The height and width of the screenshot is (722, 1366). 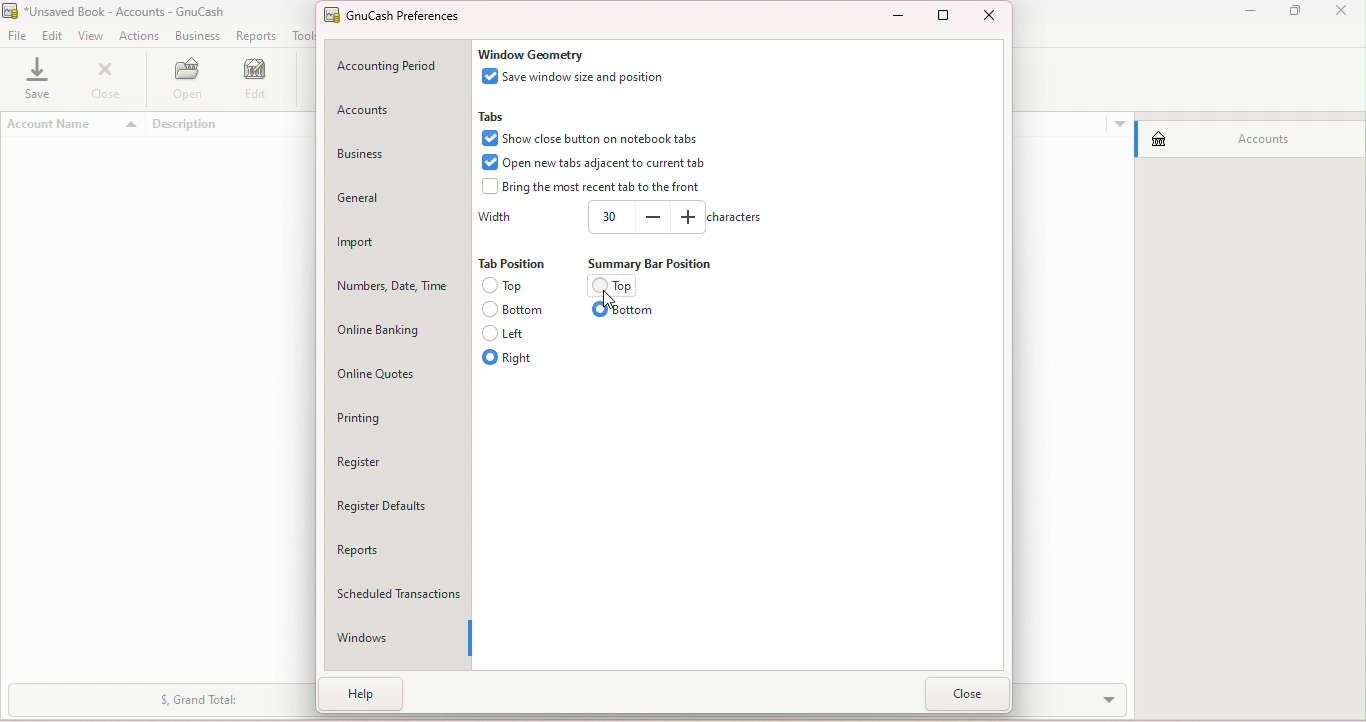 I want to click on Maximize, so click(x=944, y=18).